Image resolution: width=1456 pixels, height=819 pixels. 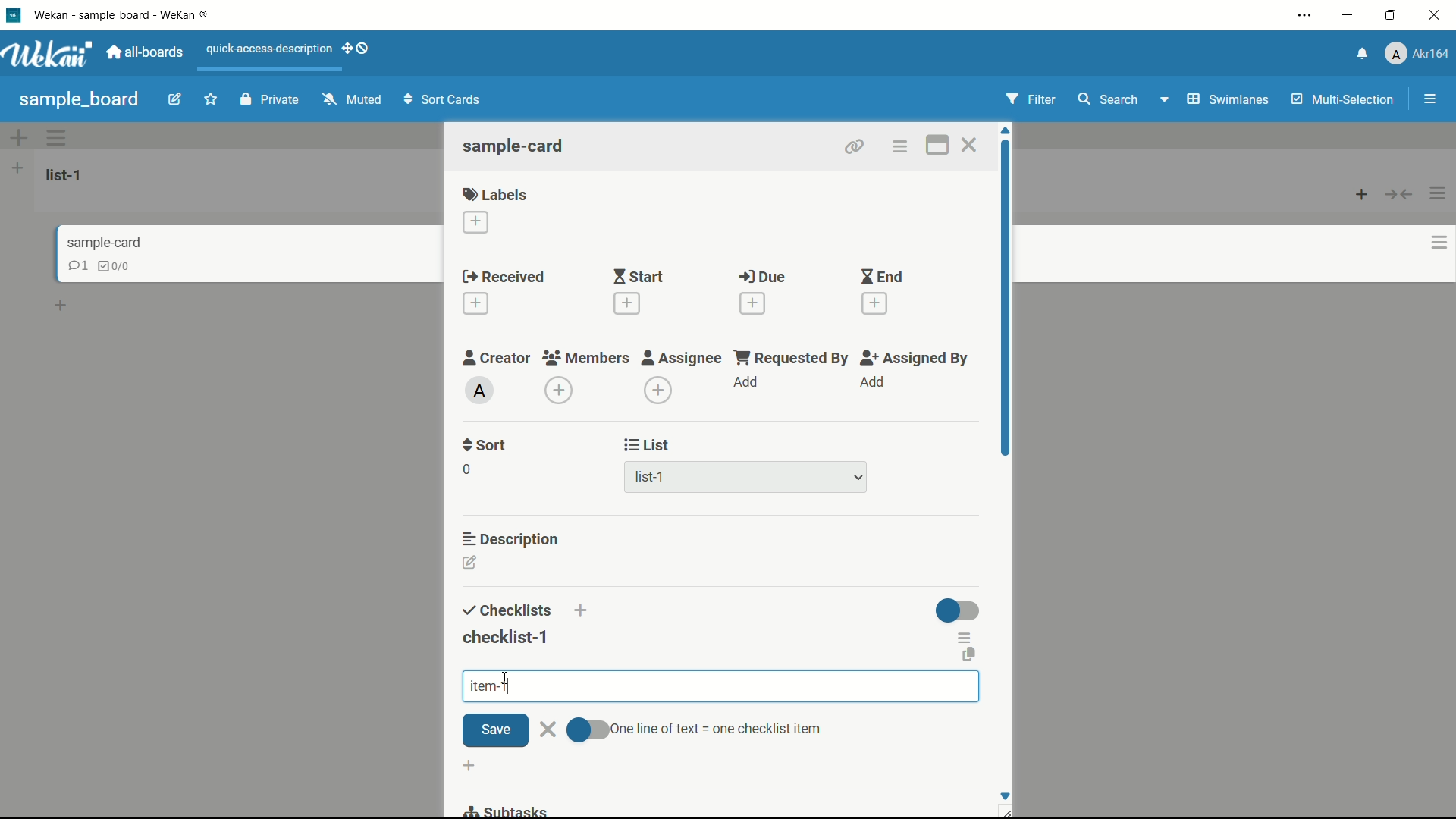 What do you see at coordinates (1031, 101) in the screenshot?
I see `Filter` at bounding box center [1031, 101].